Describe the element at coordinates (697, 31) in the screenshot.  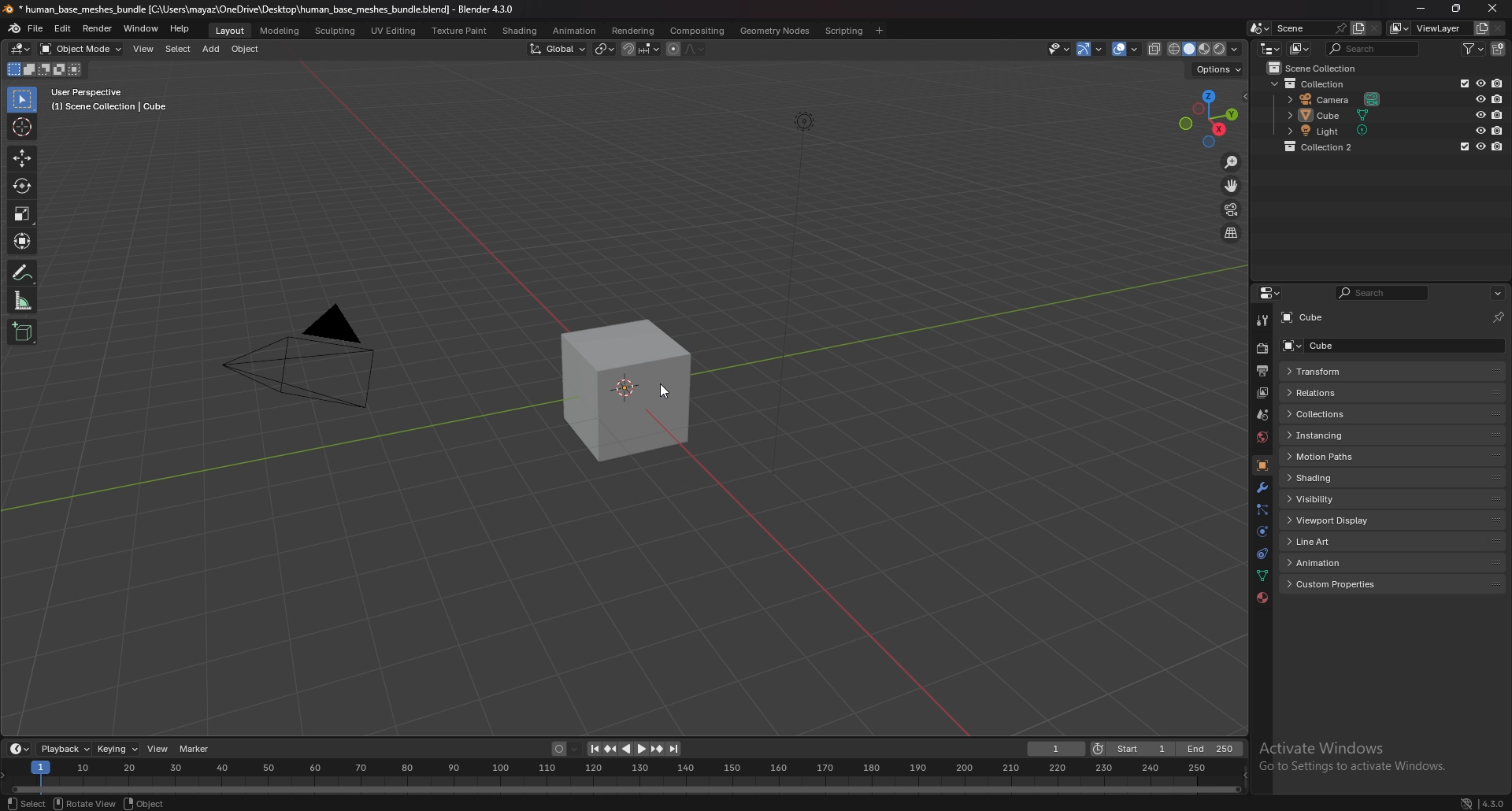
I see `compositing` at that location.